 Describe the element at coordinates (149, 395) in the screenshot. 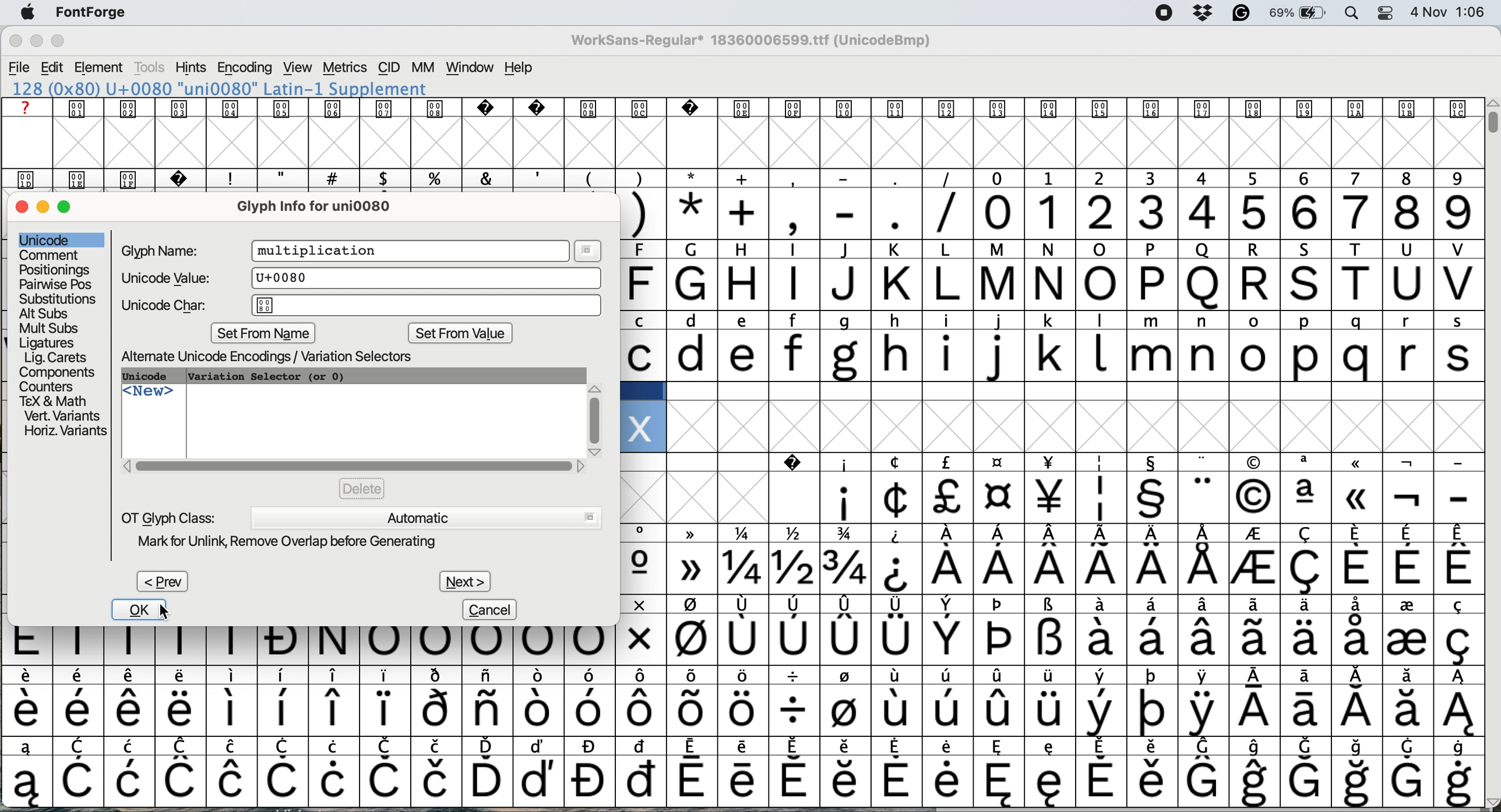

I see `new` at that location.